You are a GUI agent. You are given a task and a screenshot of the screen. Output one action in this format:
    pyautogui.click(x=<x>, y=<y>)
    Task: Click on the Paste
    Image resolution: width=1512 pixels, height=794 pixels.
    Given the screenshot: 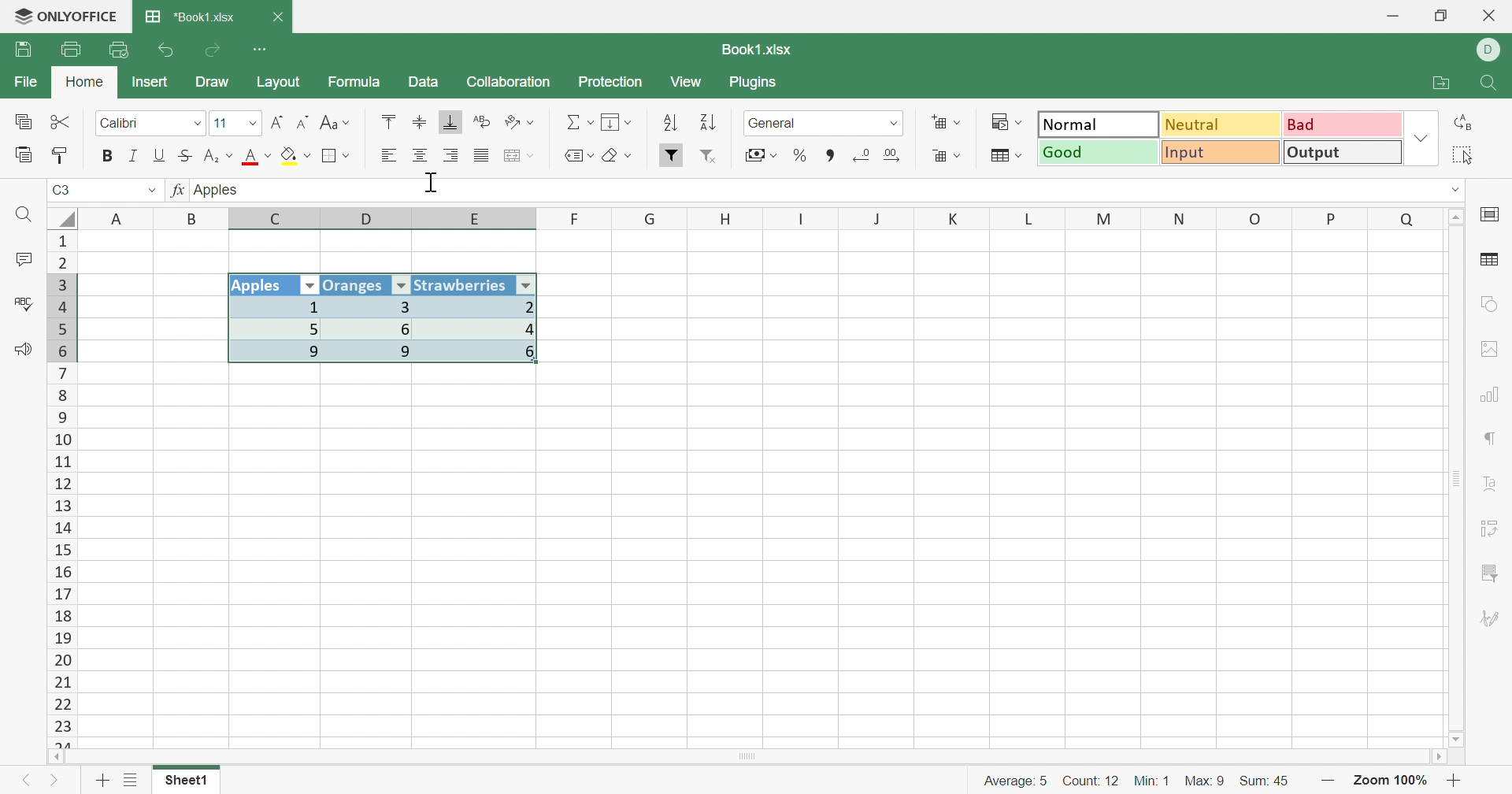 What is the action you would take?
    pyautogui.click(x=24, y=155)
    